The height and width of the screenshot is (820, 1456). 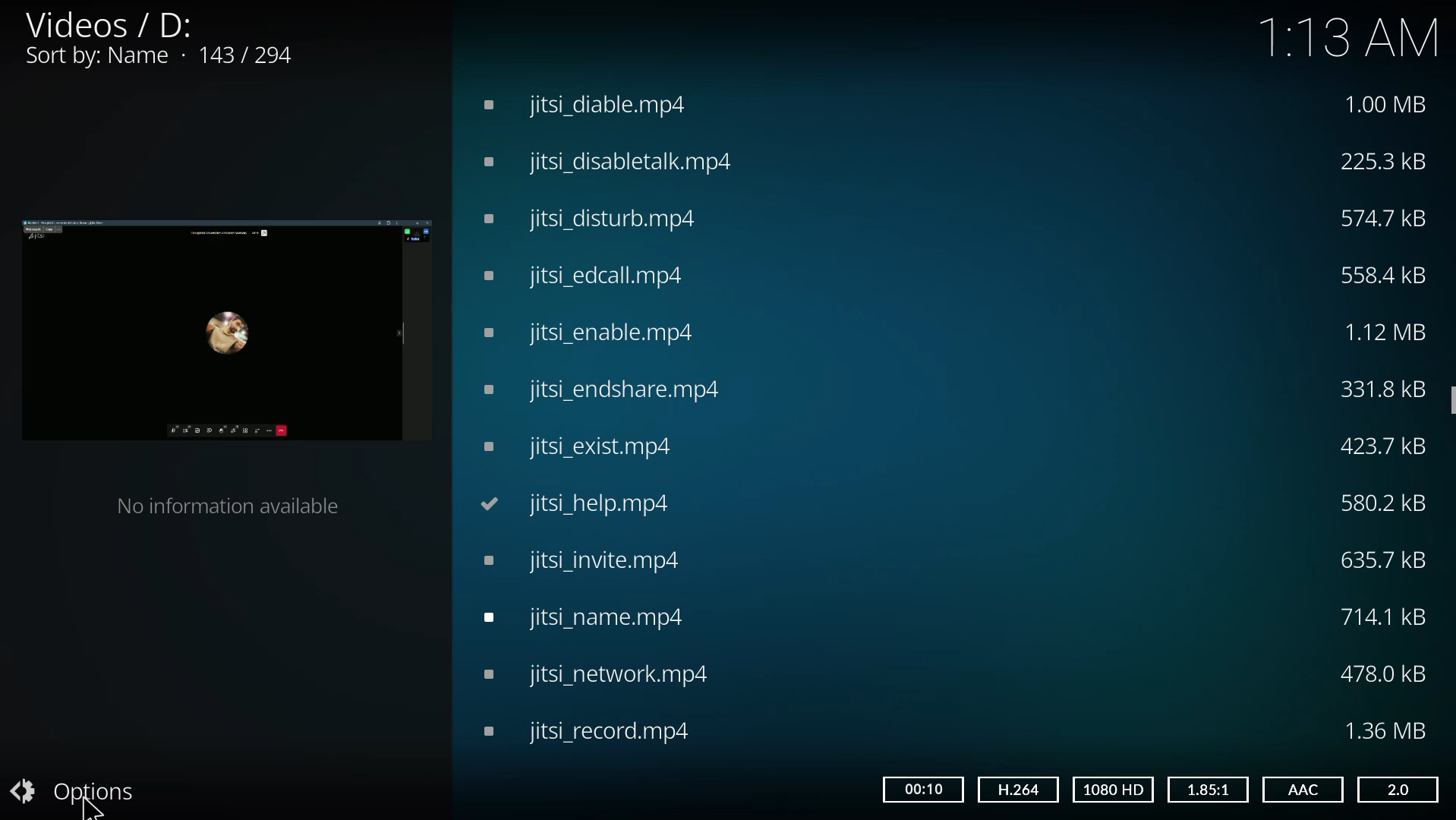 What do you see at coordinates (1379, 447) in the screenshot?
I see `size` at bounding box center [1379, 447].